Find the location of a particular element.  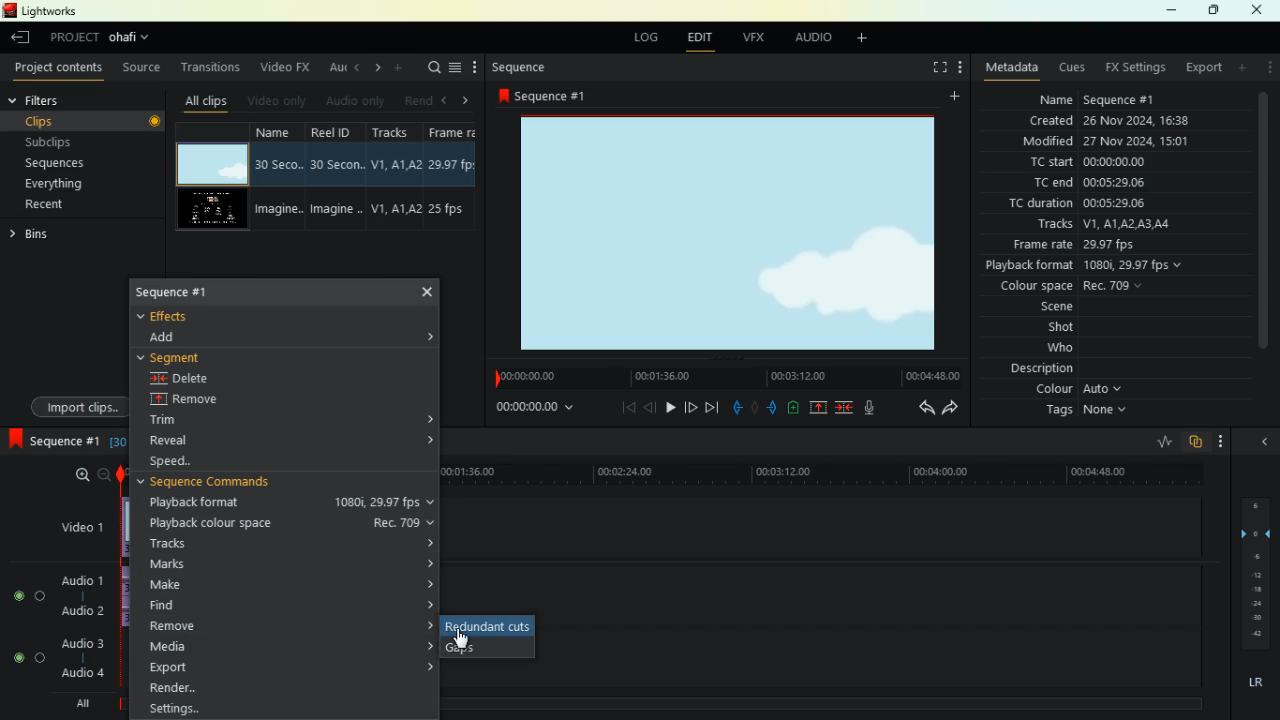

merge is located at coordinates (843, 407).